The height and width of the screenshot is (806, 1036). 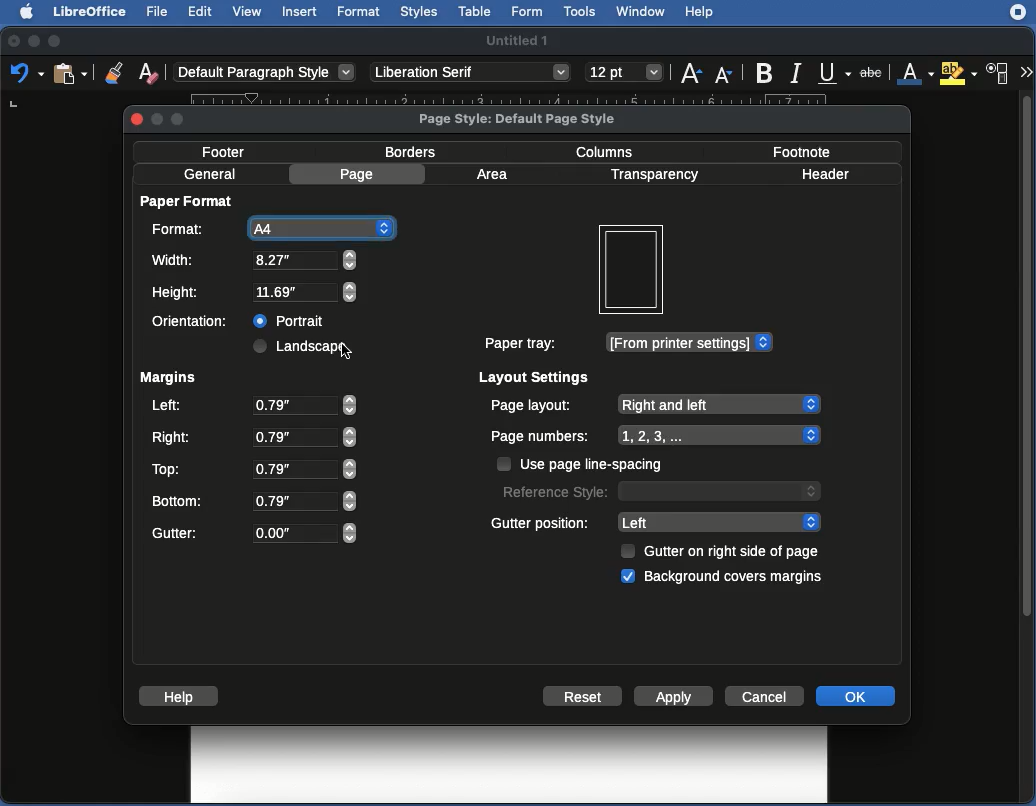 What do you see at coordinates (765, 696) in the screenshot?
I see `Cancel` at bounding box center [765, 696].